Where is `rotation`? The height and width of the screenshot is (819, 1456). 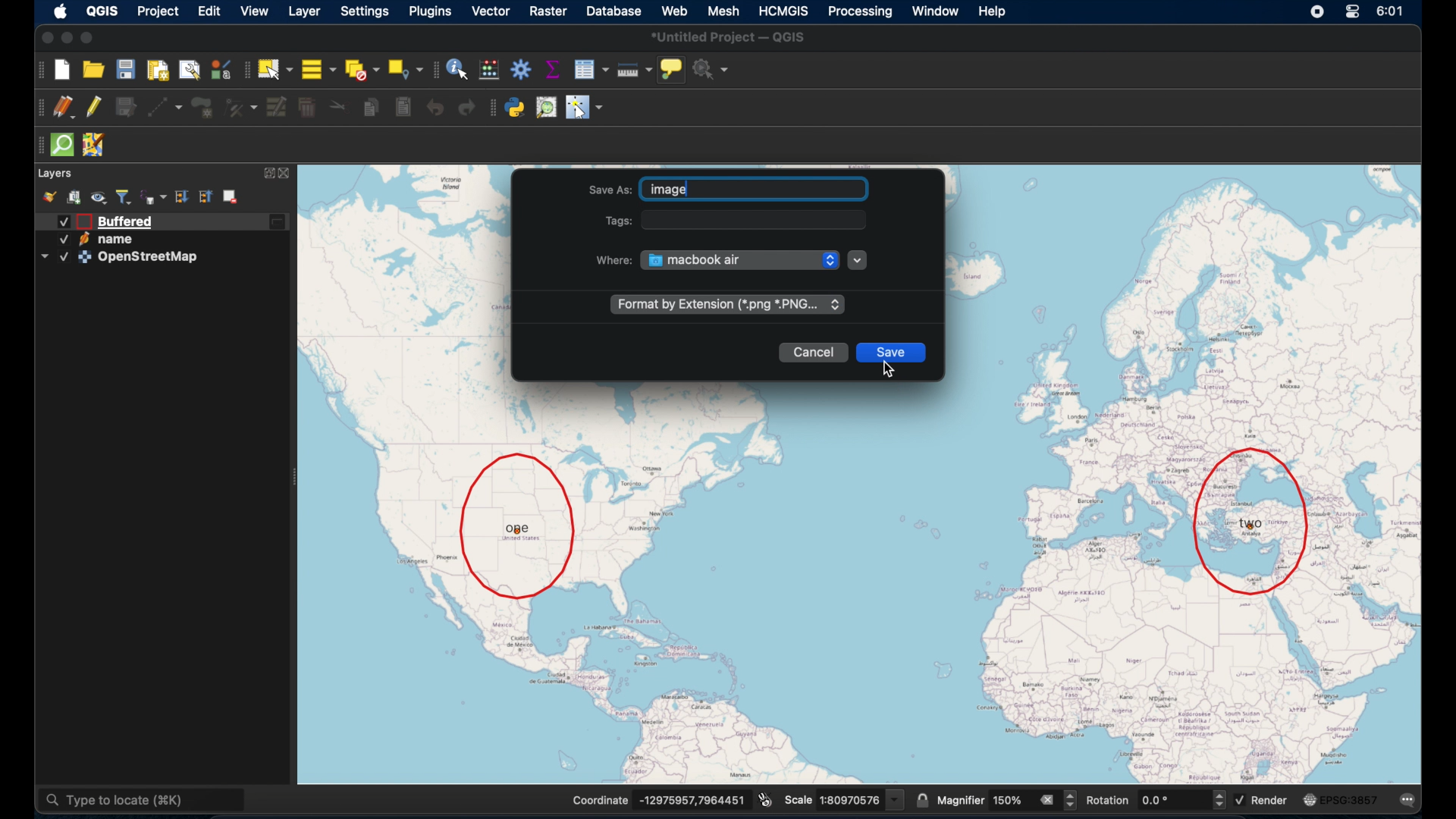 rotation is located at coordinates (1107, 801).